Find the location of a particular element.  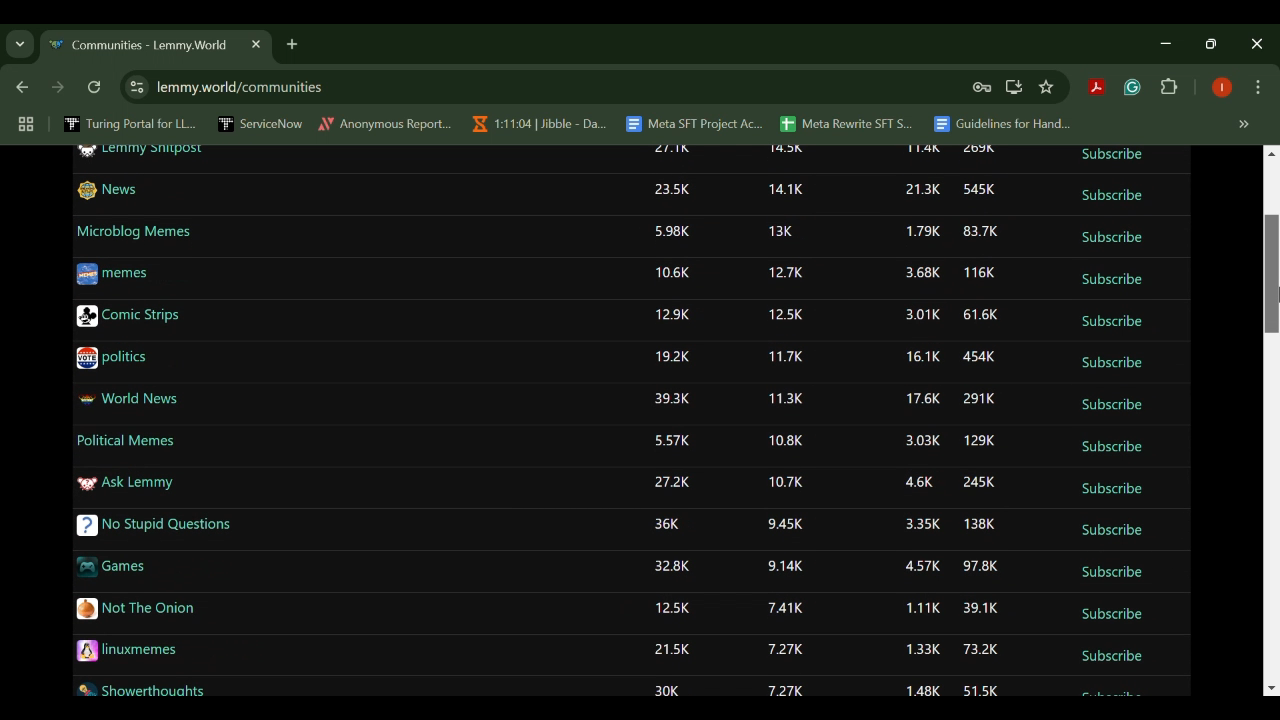

Close Window is located at coordinates (1258, 44).